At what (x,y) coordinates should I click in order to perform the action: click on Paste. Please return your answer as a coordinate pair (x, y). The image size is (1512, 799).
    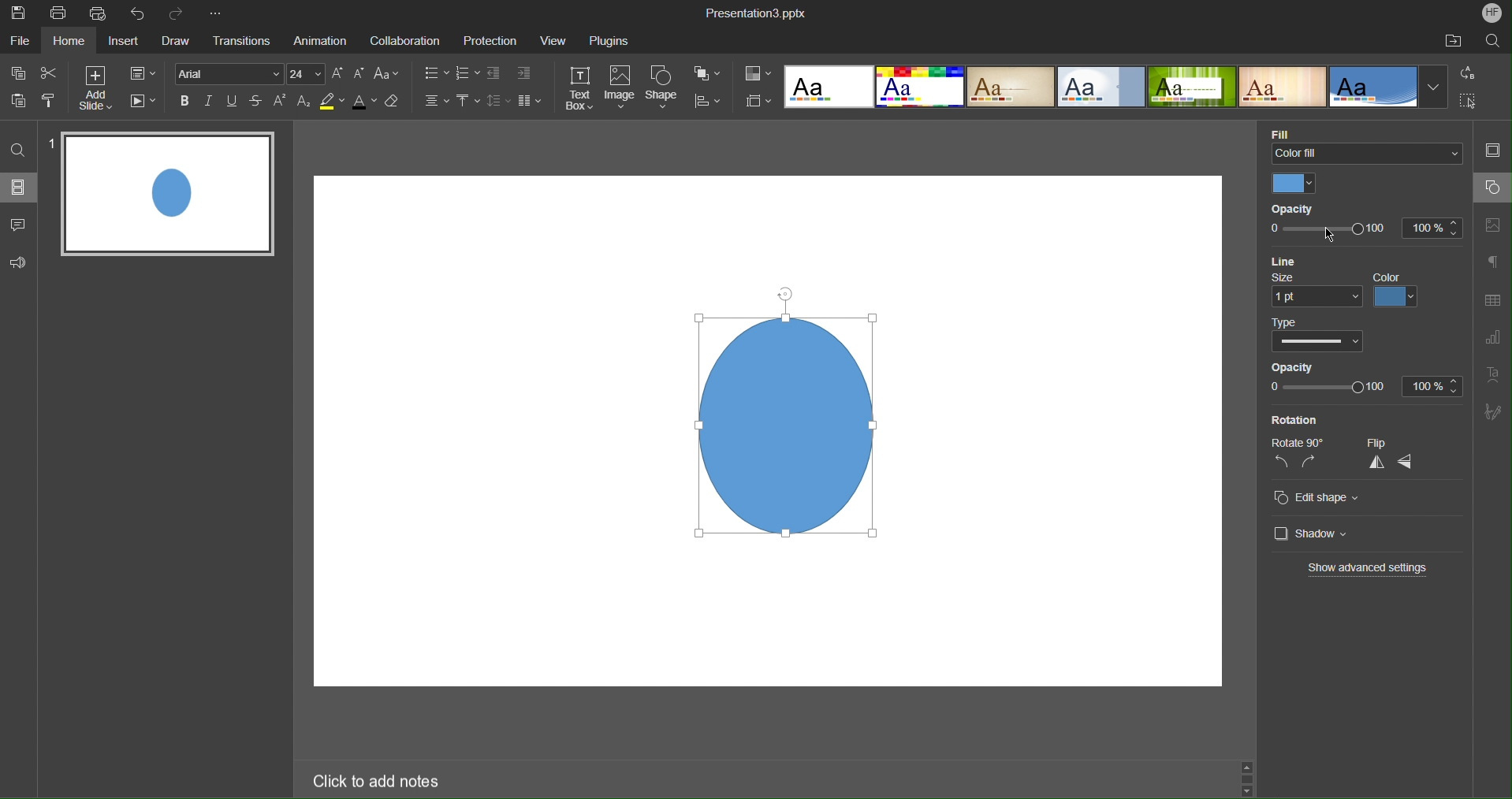
    Looking at the image, I should click on (20, 101).